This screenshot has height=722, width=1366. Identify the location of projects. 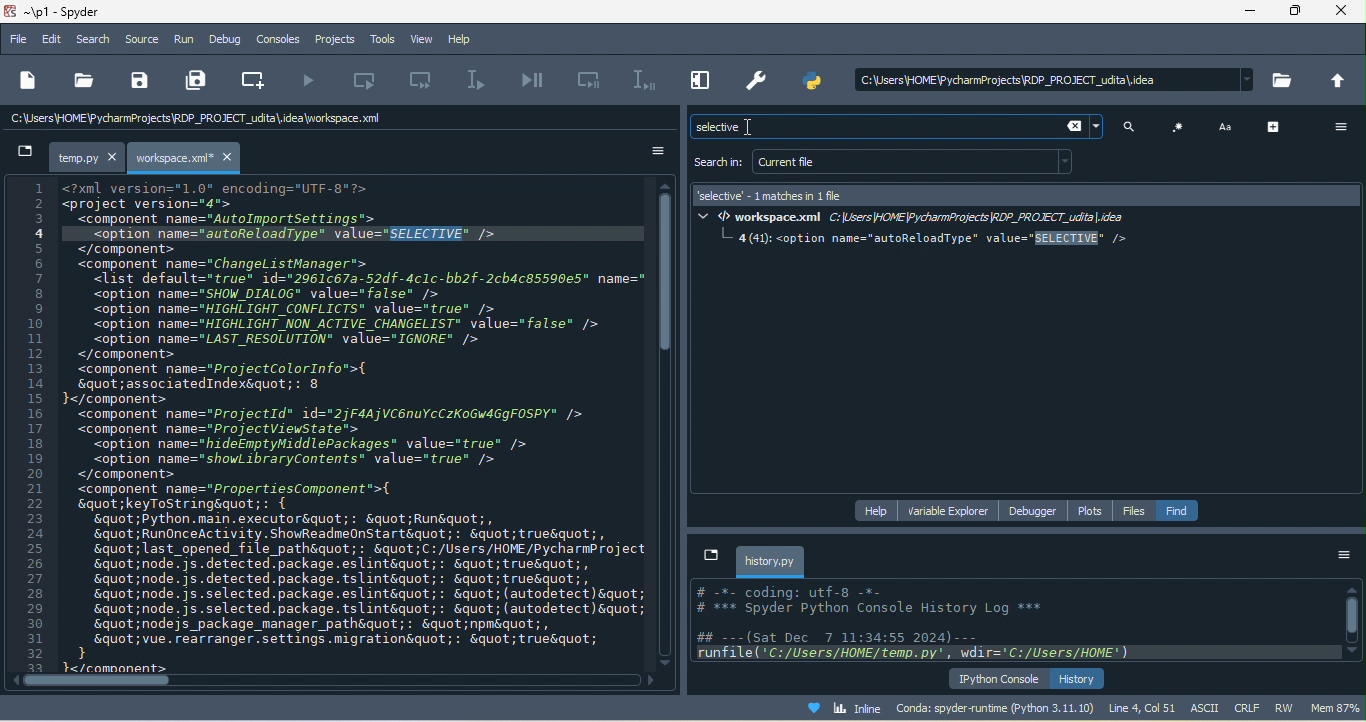
(331, 39).